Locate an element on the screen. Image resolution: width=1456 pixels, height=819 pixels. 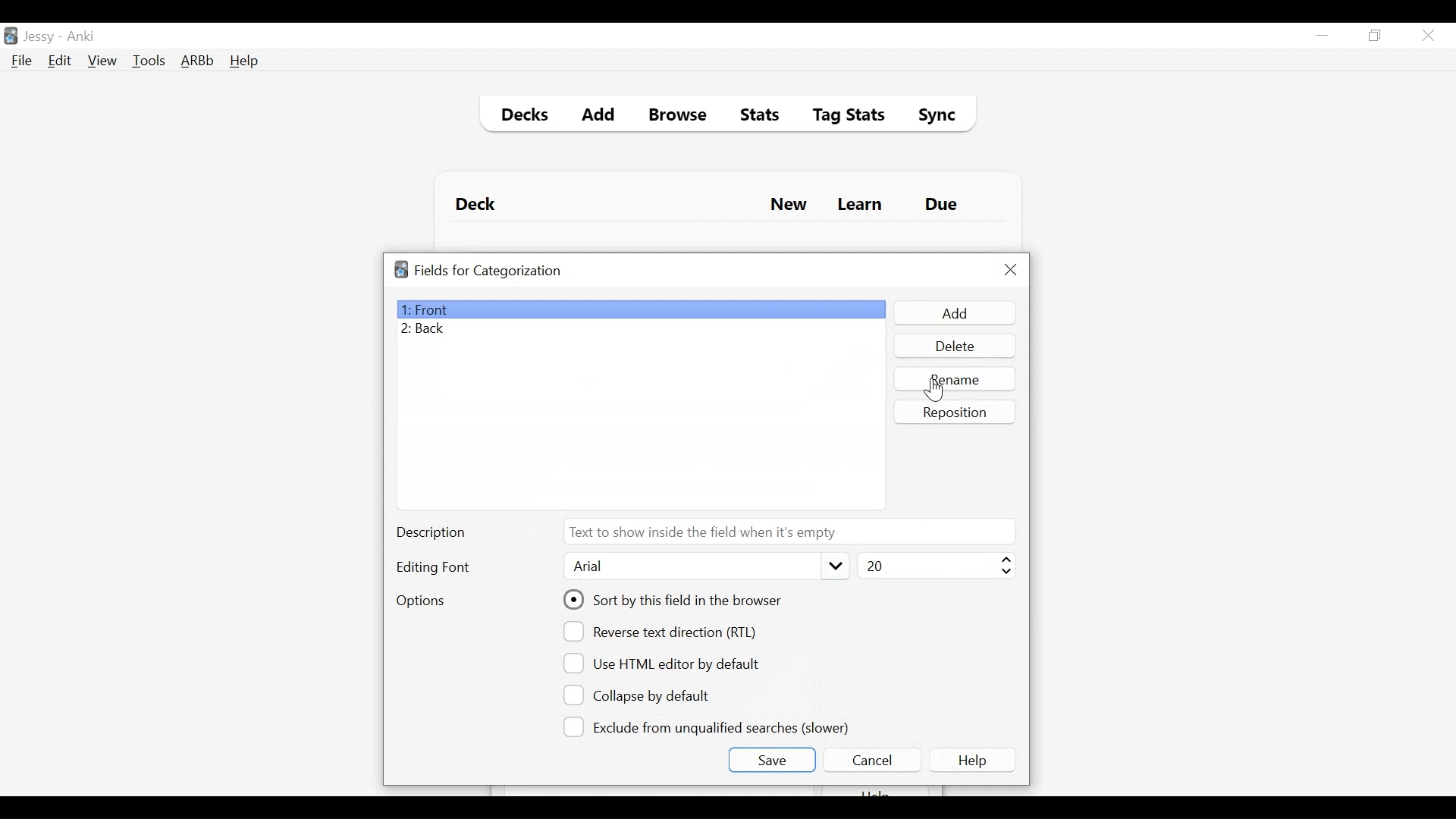
Back is located at coordinates (427, 330).